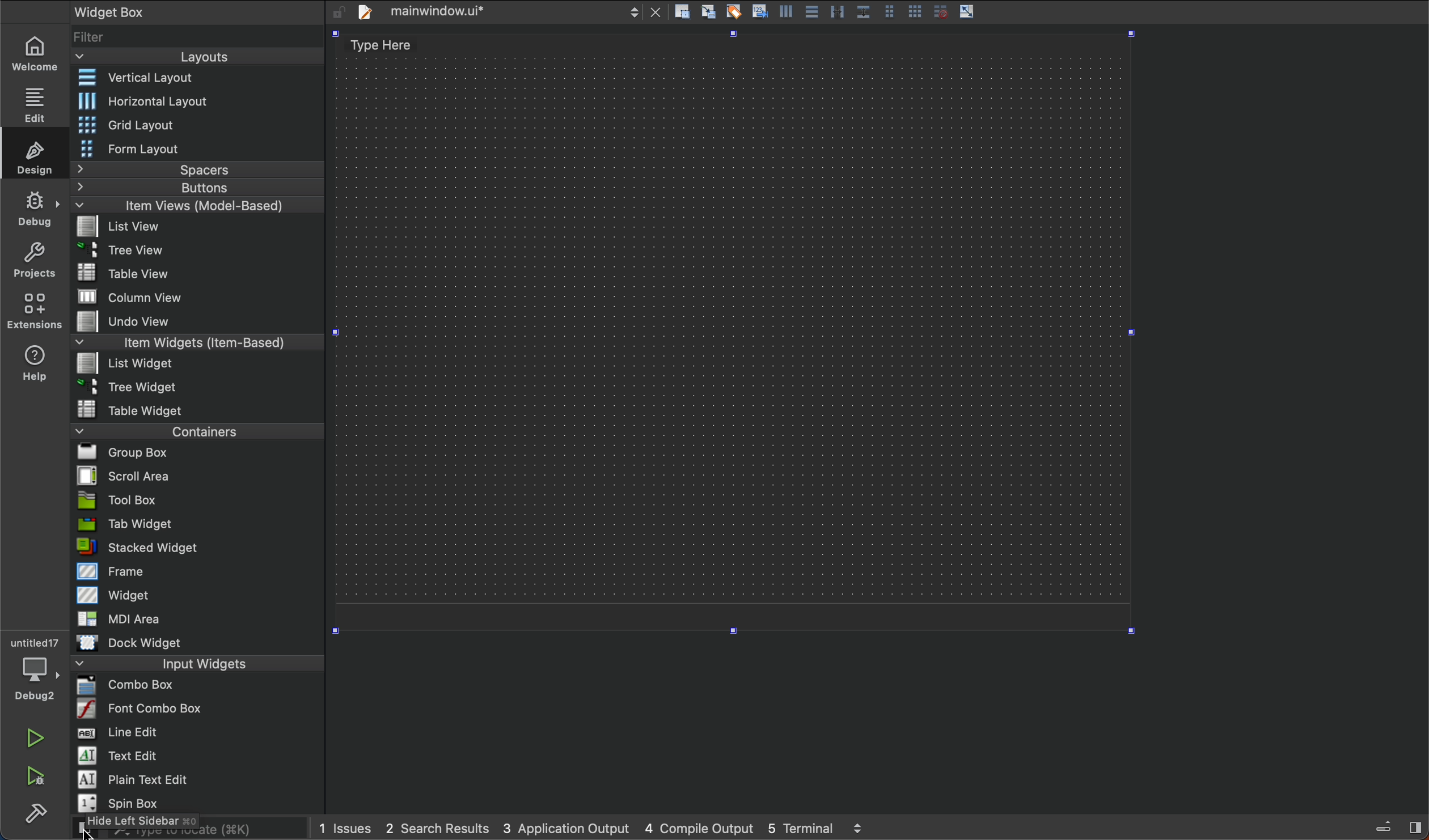 The image size is (1429, 840). Describe the element at coordinates (969, 12) in the screenshot. I see `` at that location.